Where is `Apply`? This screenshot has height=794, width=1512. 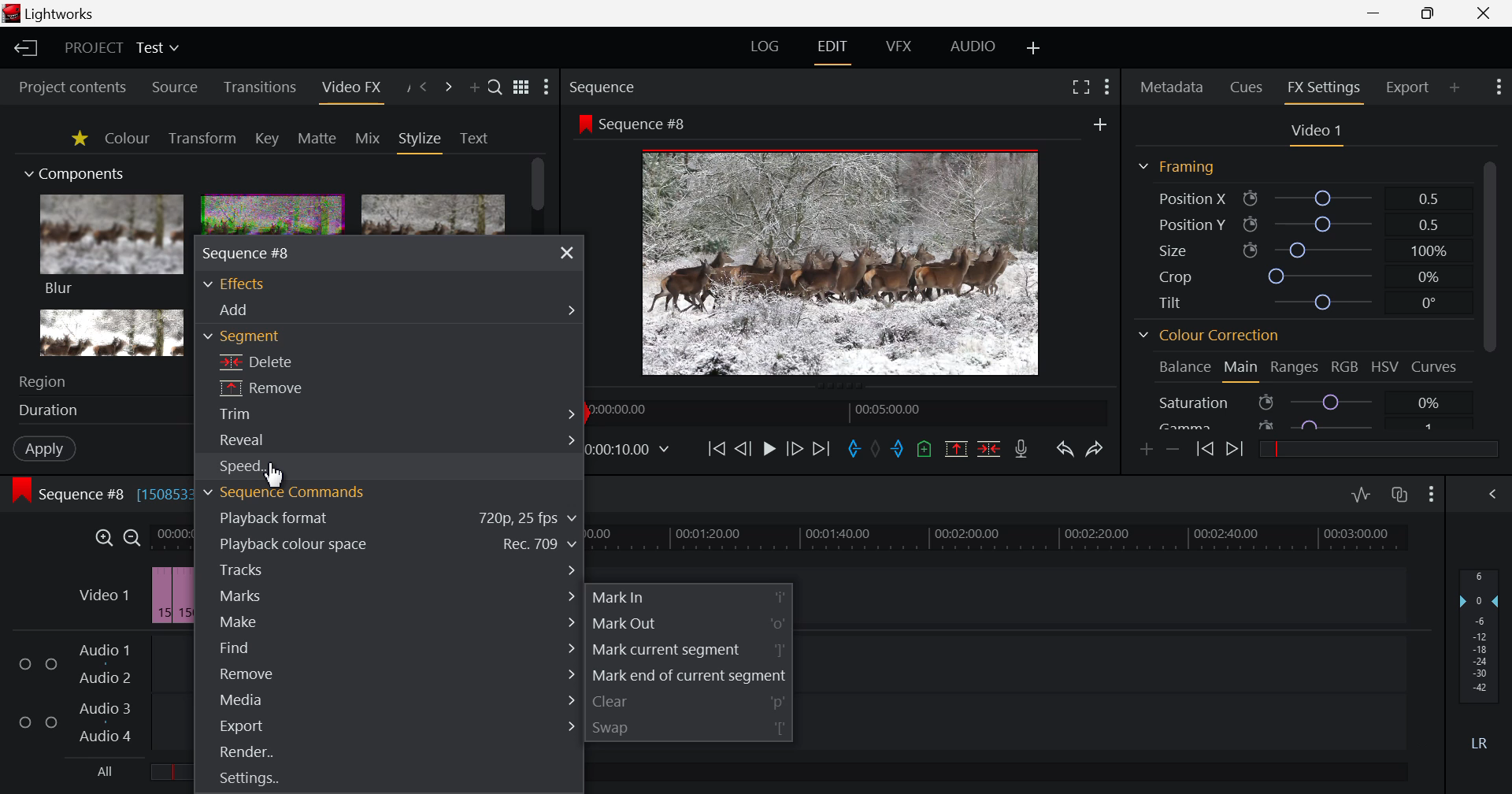
Apply is located at coordinates (44, 448).